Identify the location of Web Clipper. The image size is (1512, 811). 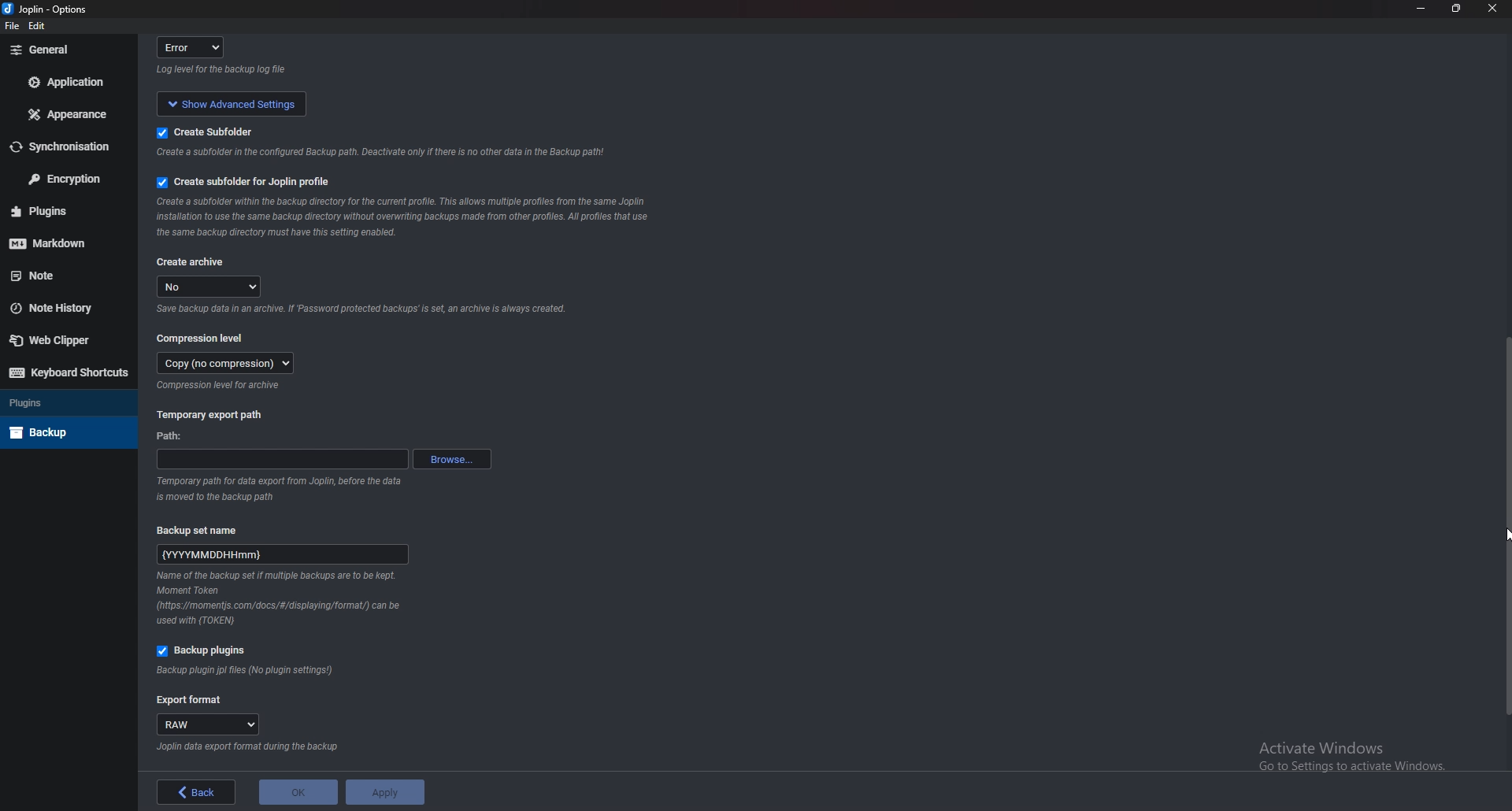
(61, 339).